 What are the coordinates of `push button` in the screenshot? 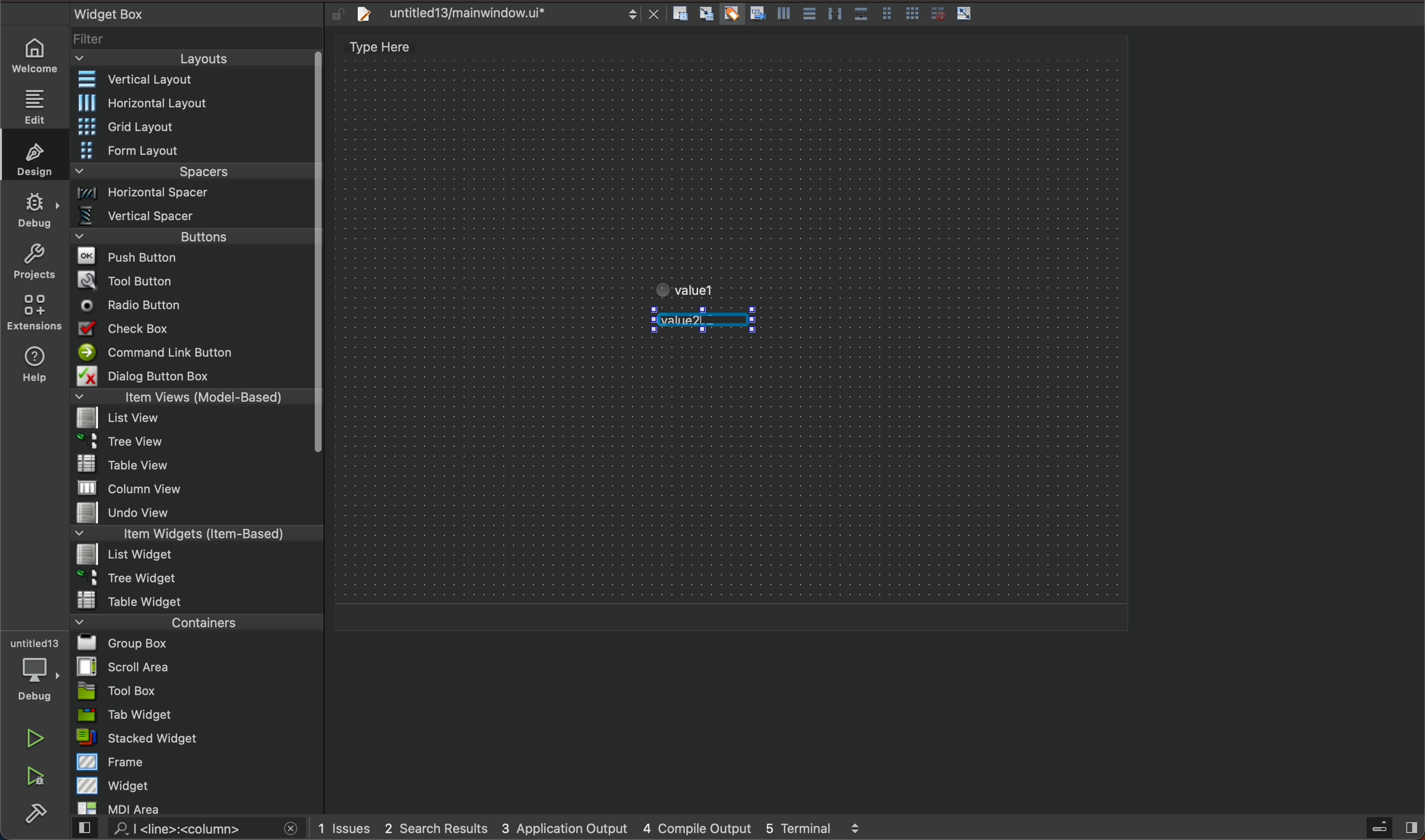 It's located at (192, 259).